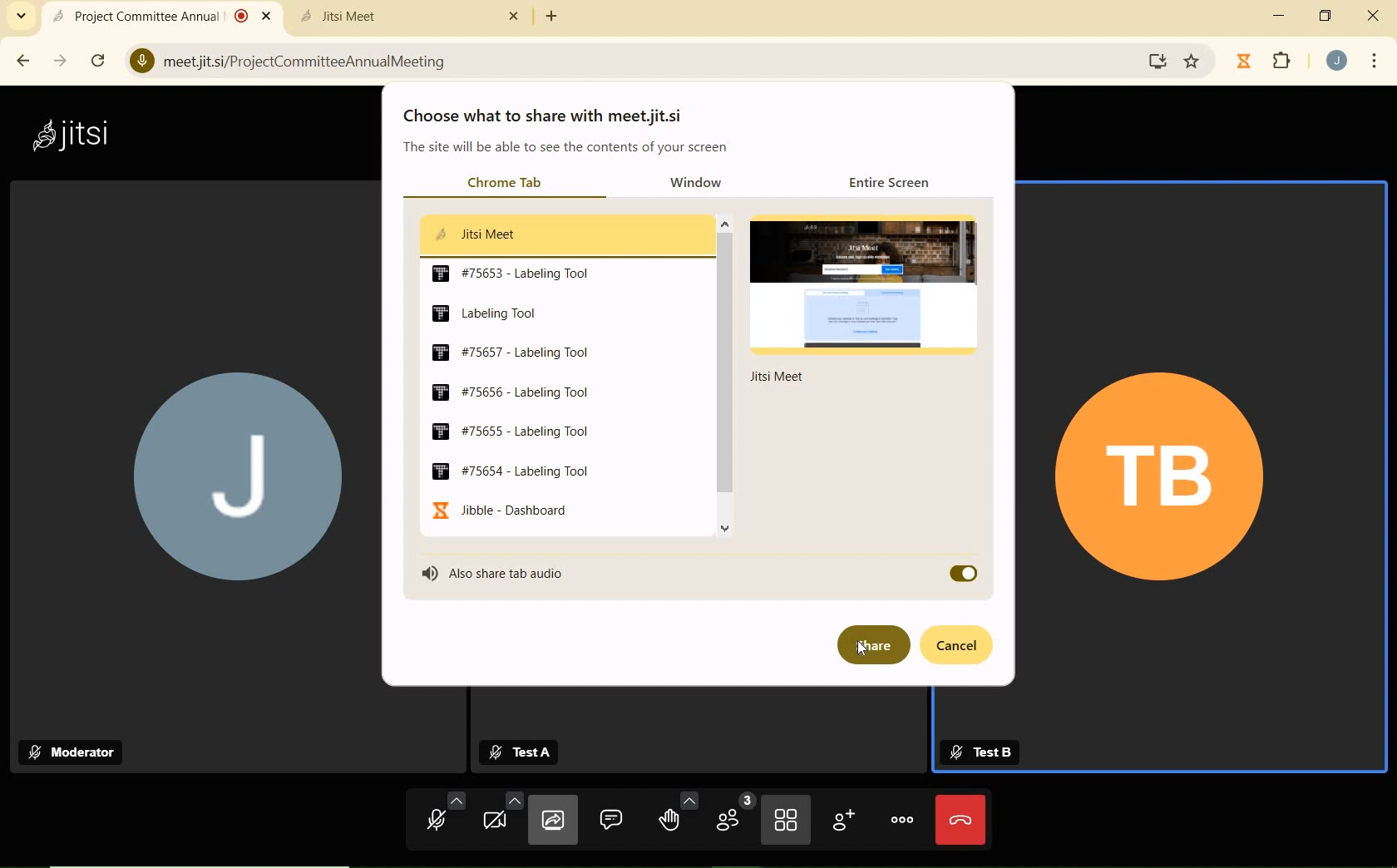 The height and width of the screenshot is (868, 1397). I want to click on scrollbar, so click(724, 374).